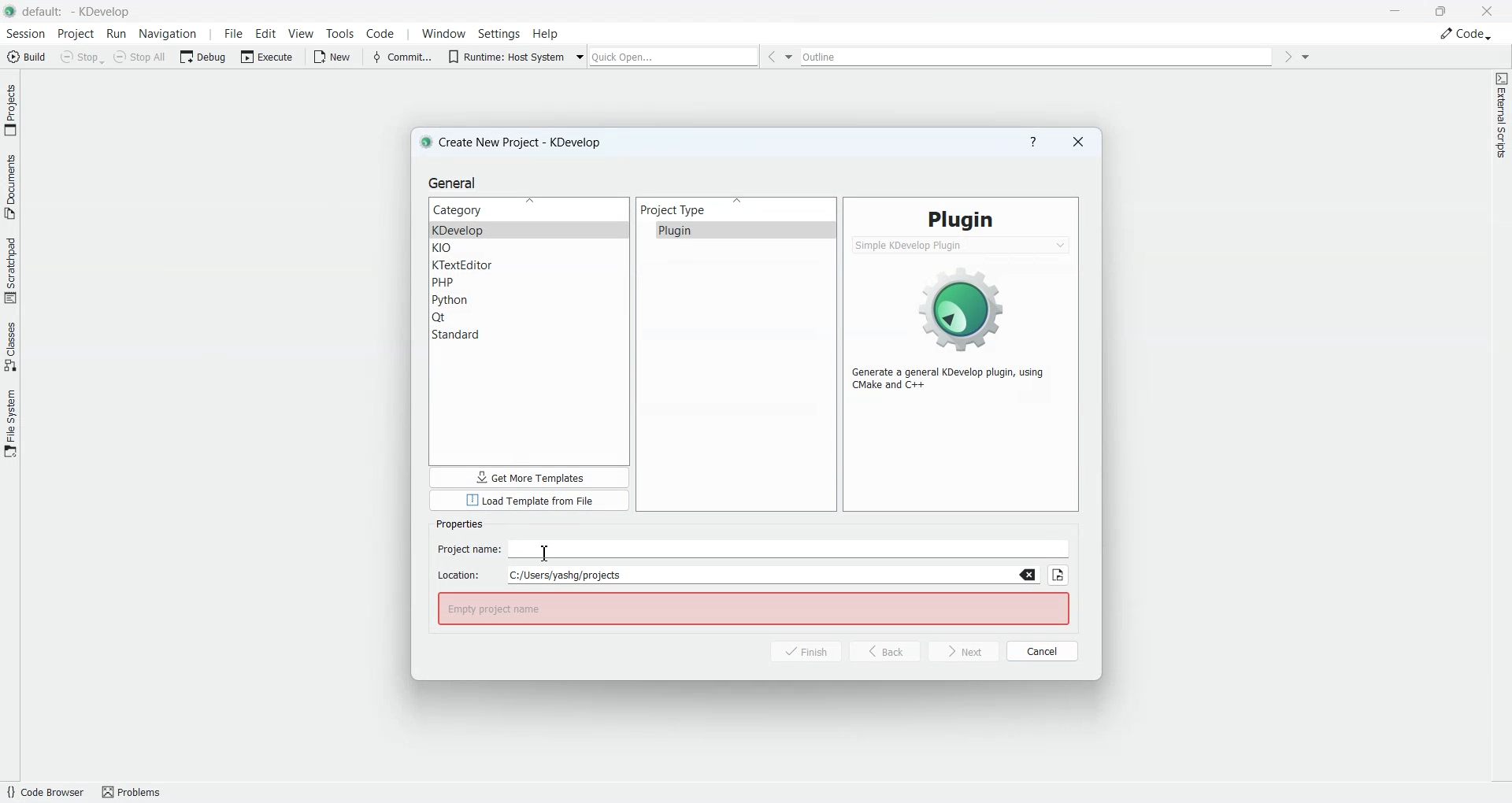  I want to click on Runtime: Host System, so click(504, 55).